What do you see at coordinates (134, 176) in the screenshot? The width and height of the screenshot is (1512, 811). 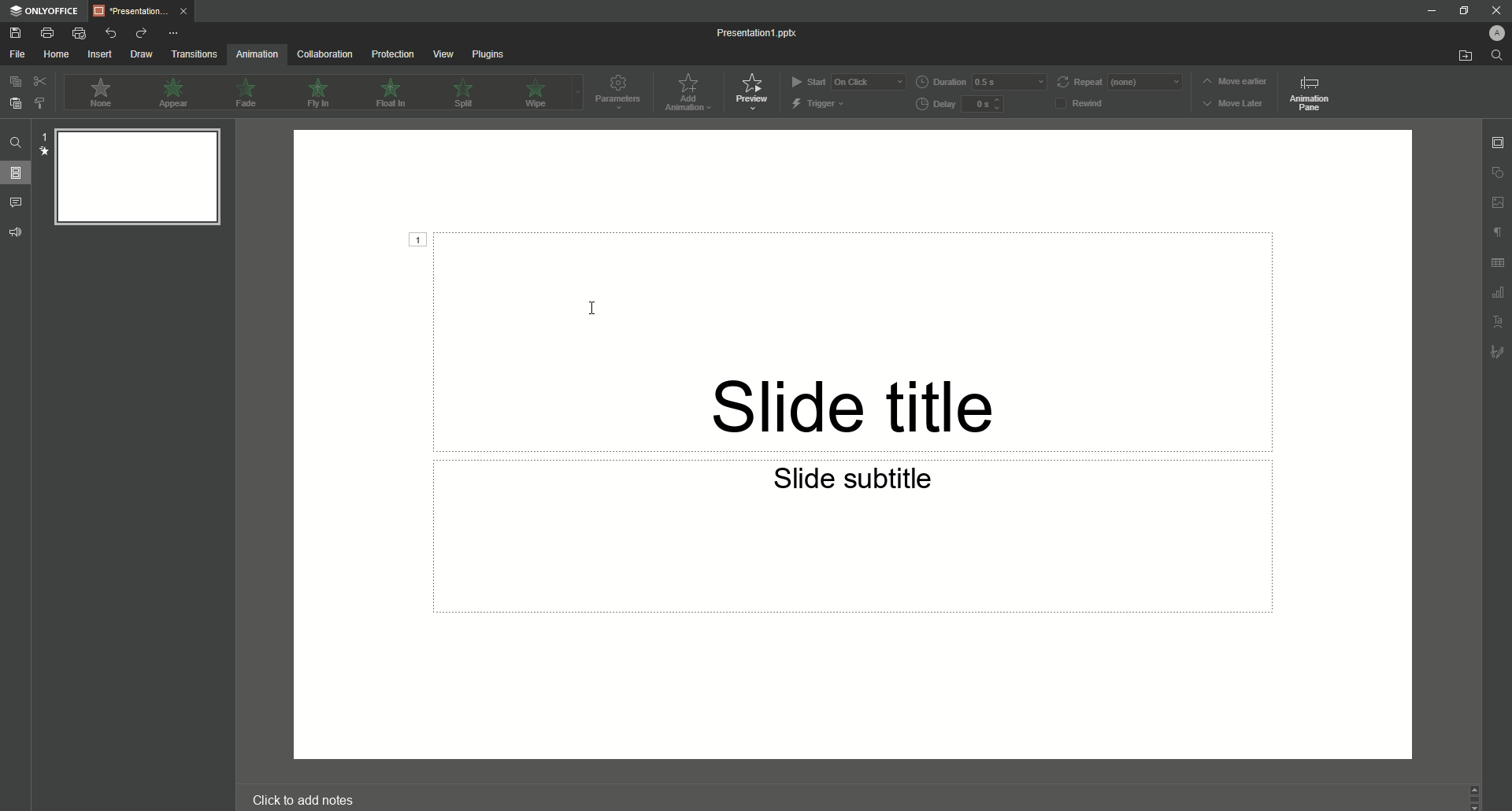 I see `Slide Preview` at bounding box center [134, 176].